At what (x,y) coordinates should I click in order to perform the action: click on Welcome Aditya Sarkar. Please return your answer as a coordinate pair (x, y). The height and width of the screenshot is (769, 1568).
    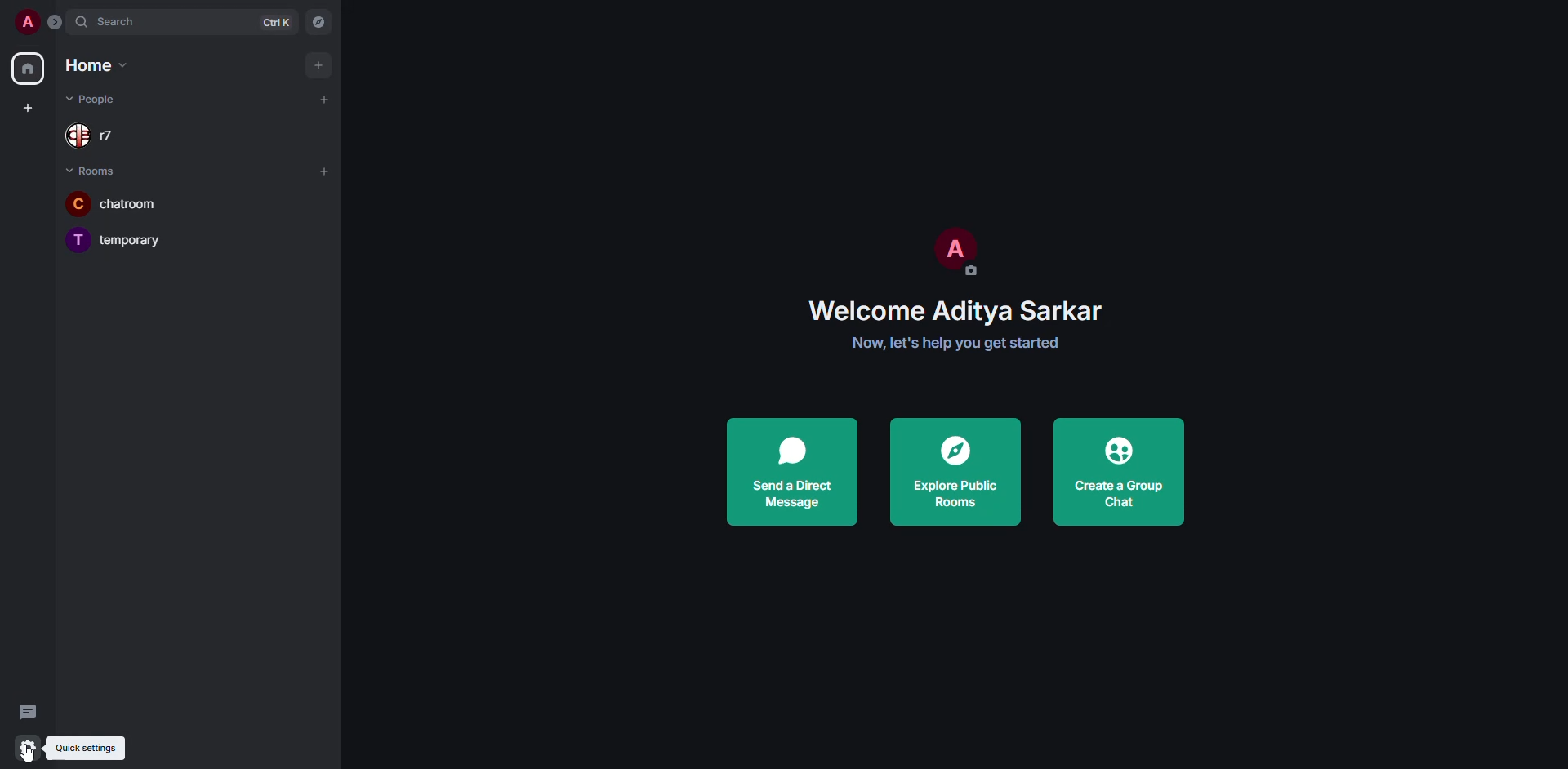
    Looking at the image, I should click on (955, 312).